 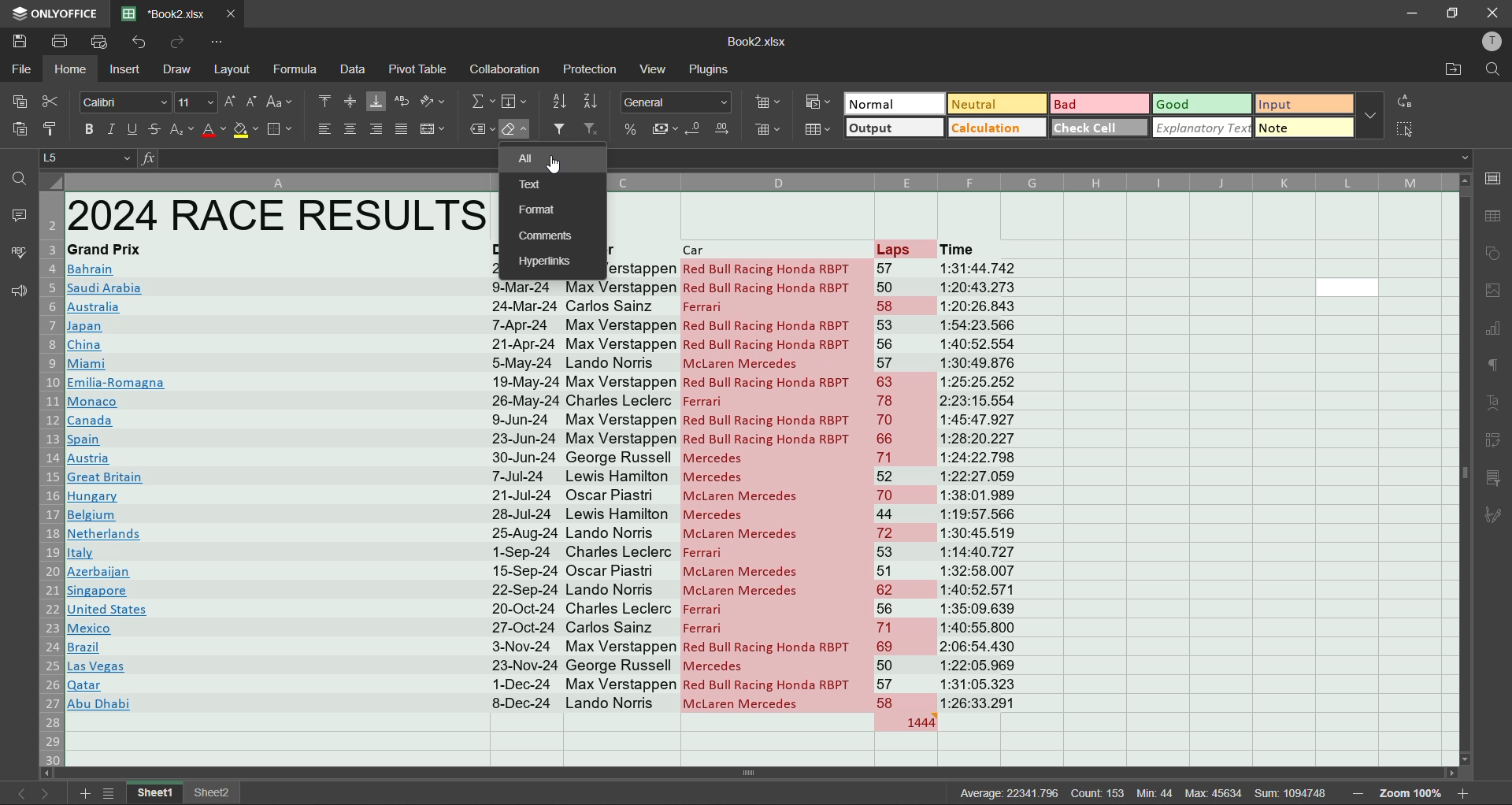 What do you see at coordinates (133, 130) in the screenshot?
I see `underline` at bounding box center [133, 130].